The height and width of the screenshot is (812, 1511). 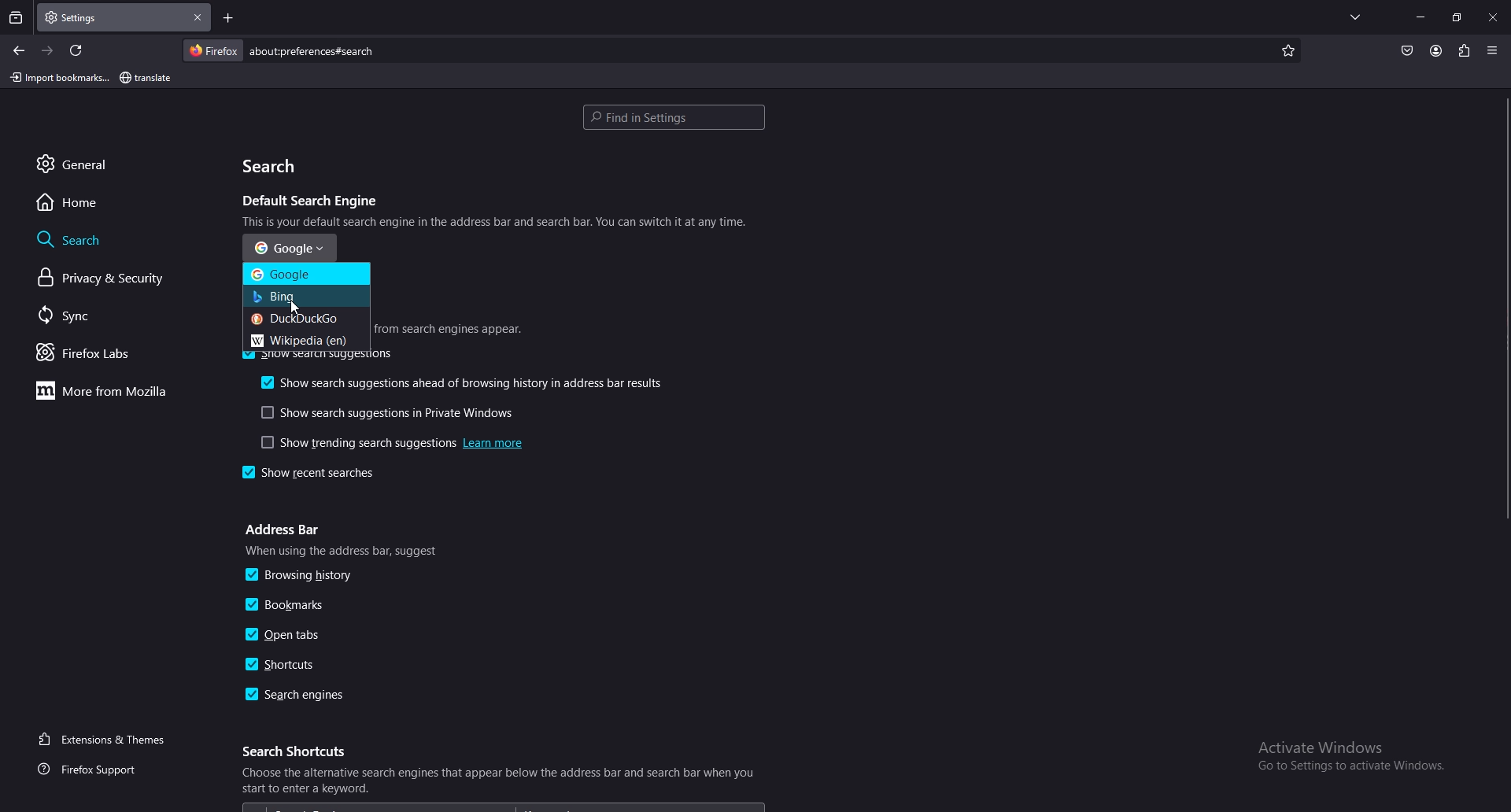 What do you see at coordinates (346, 551) in the screenshot?
I see `info` at bounding box center [346, 551].